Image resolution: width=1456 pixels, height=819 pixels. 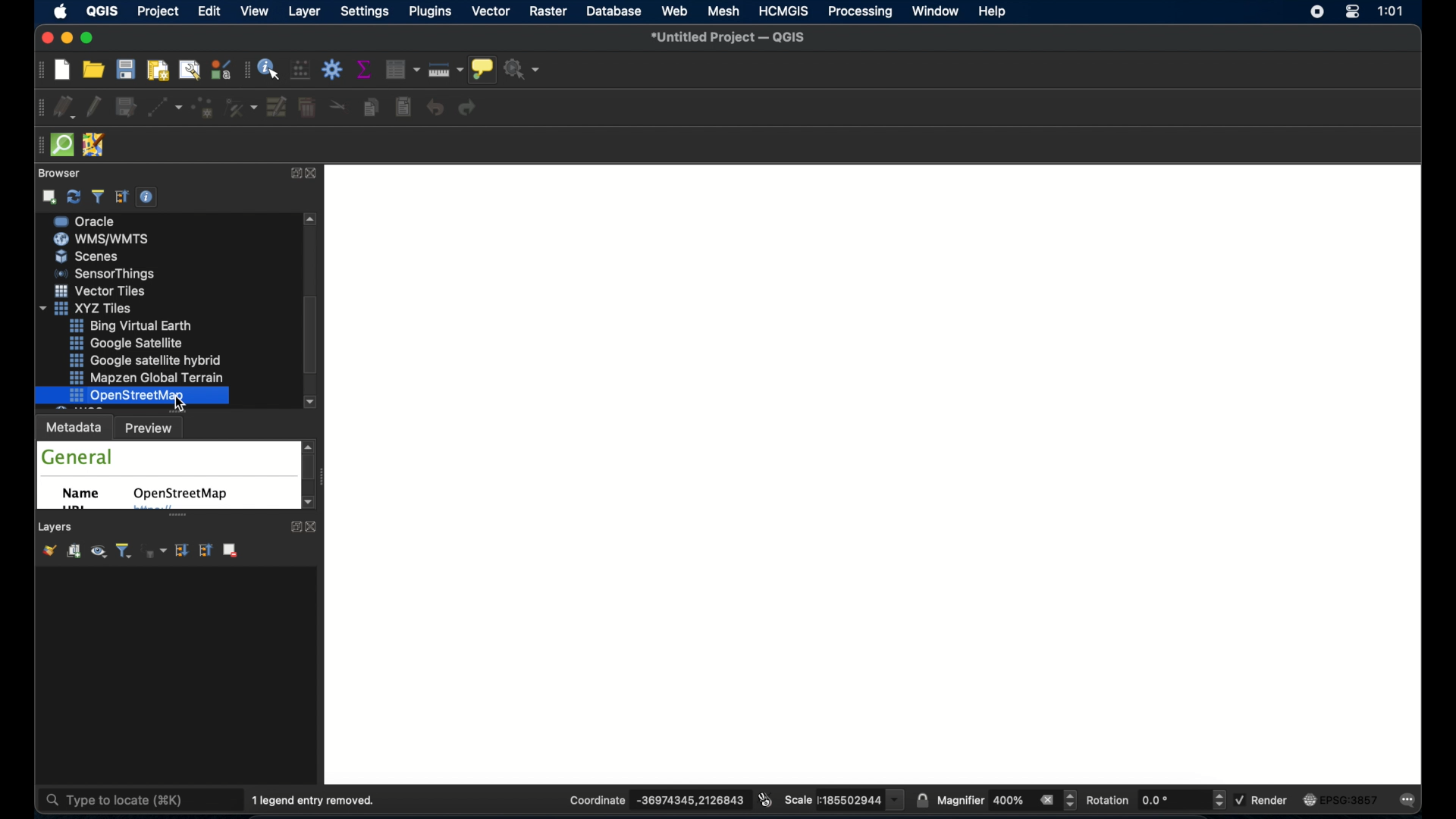 I want to click on postgre sql, so click(x=105, y=221).